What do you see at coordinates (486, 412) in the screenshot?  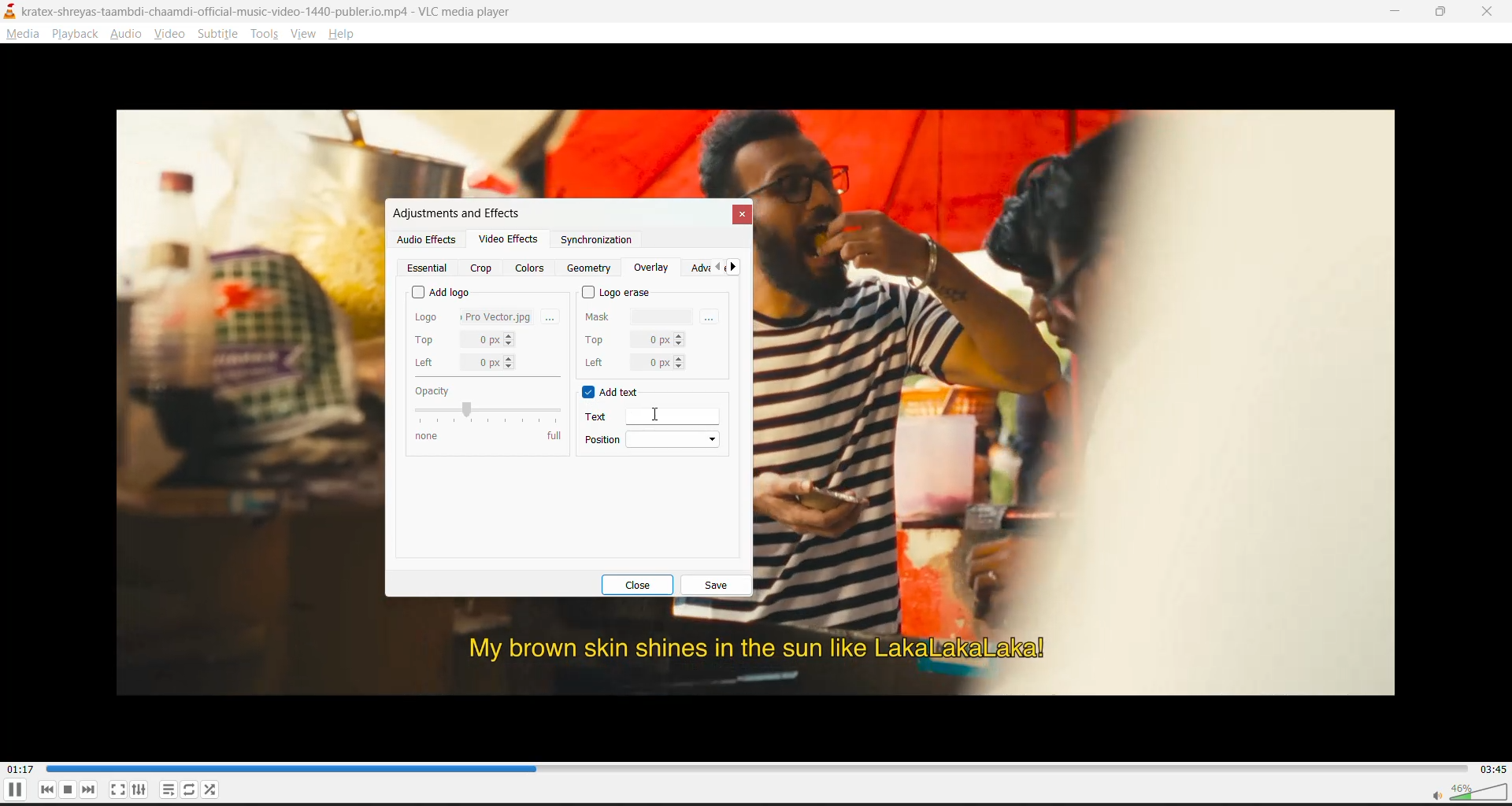 I see `opacity` at bounding box center [486, 412].